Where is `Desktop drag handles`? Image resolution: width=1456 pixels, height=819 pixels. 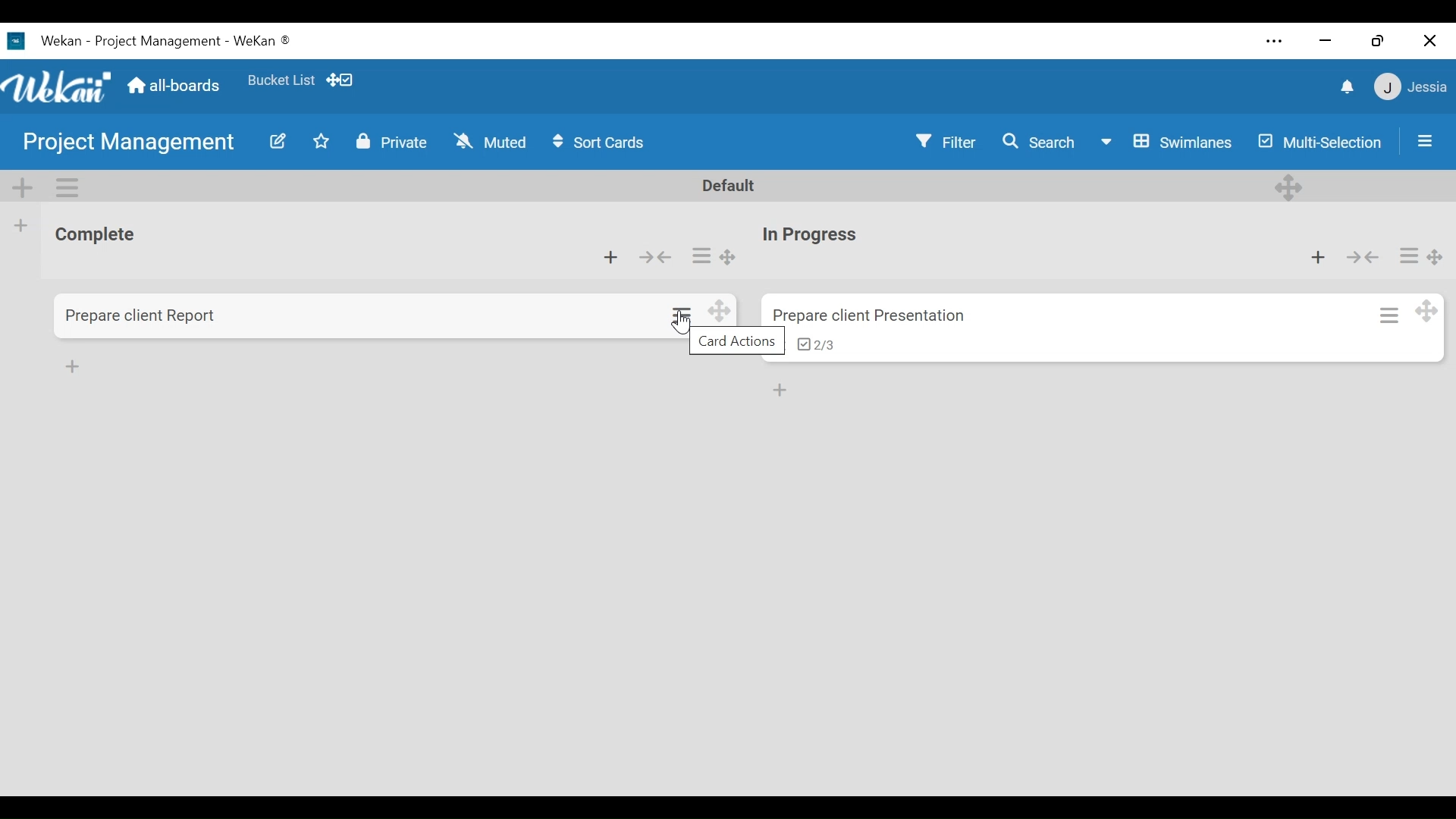 Desktop drag handles is located at coordinates (340, 80).